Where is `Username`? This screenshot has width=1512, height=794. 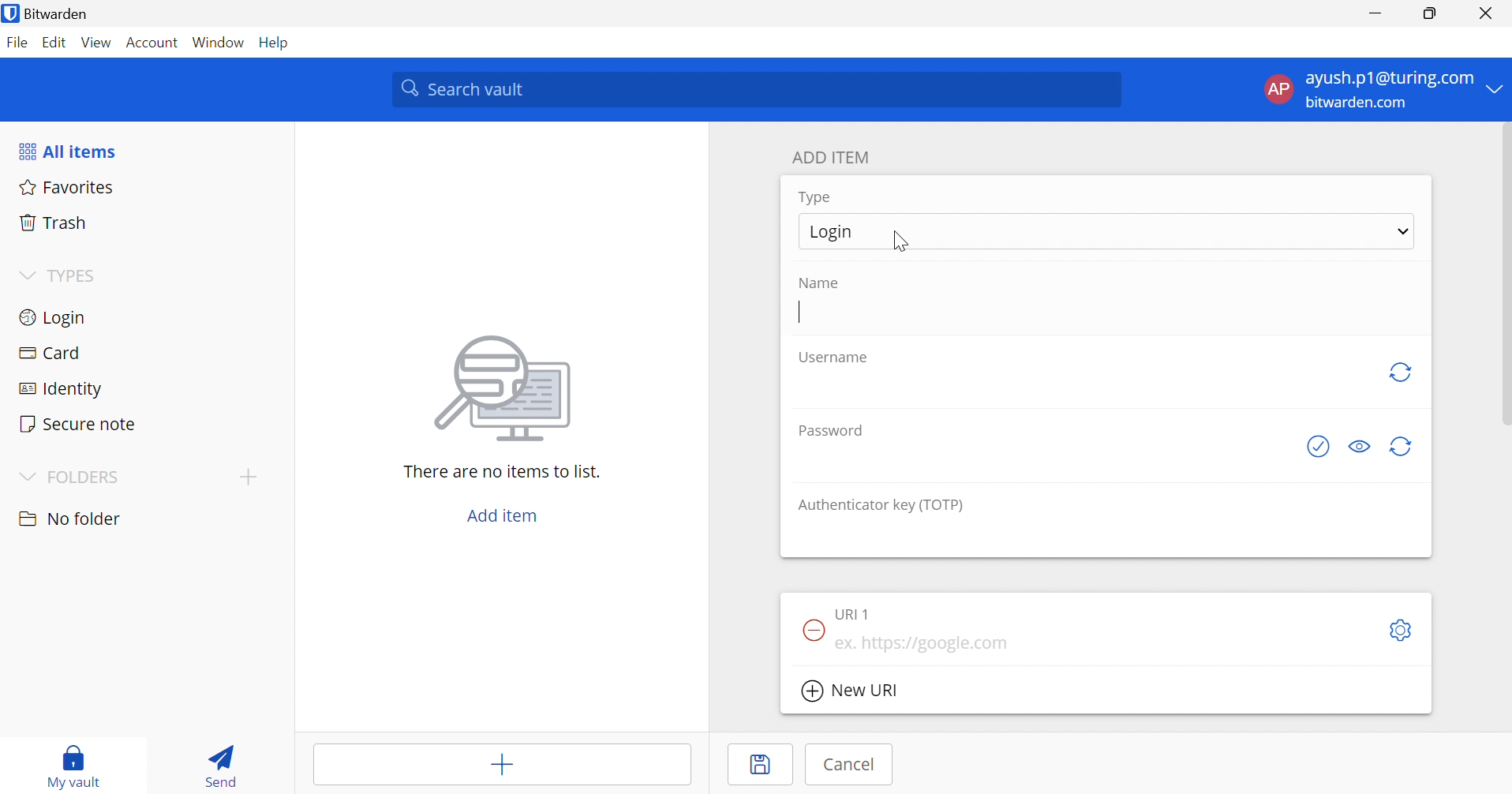 Username is located at coordinates (833, 361).